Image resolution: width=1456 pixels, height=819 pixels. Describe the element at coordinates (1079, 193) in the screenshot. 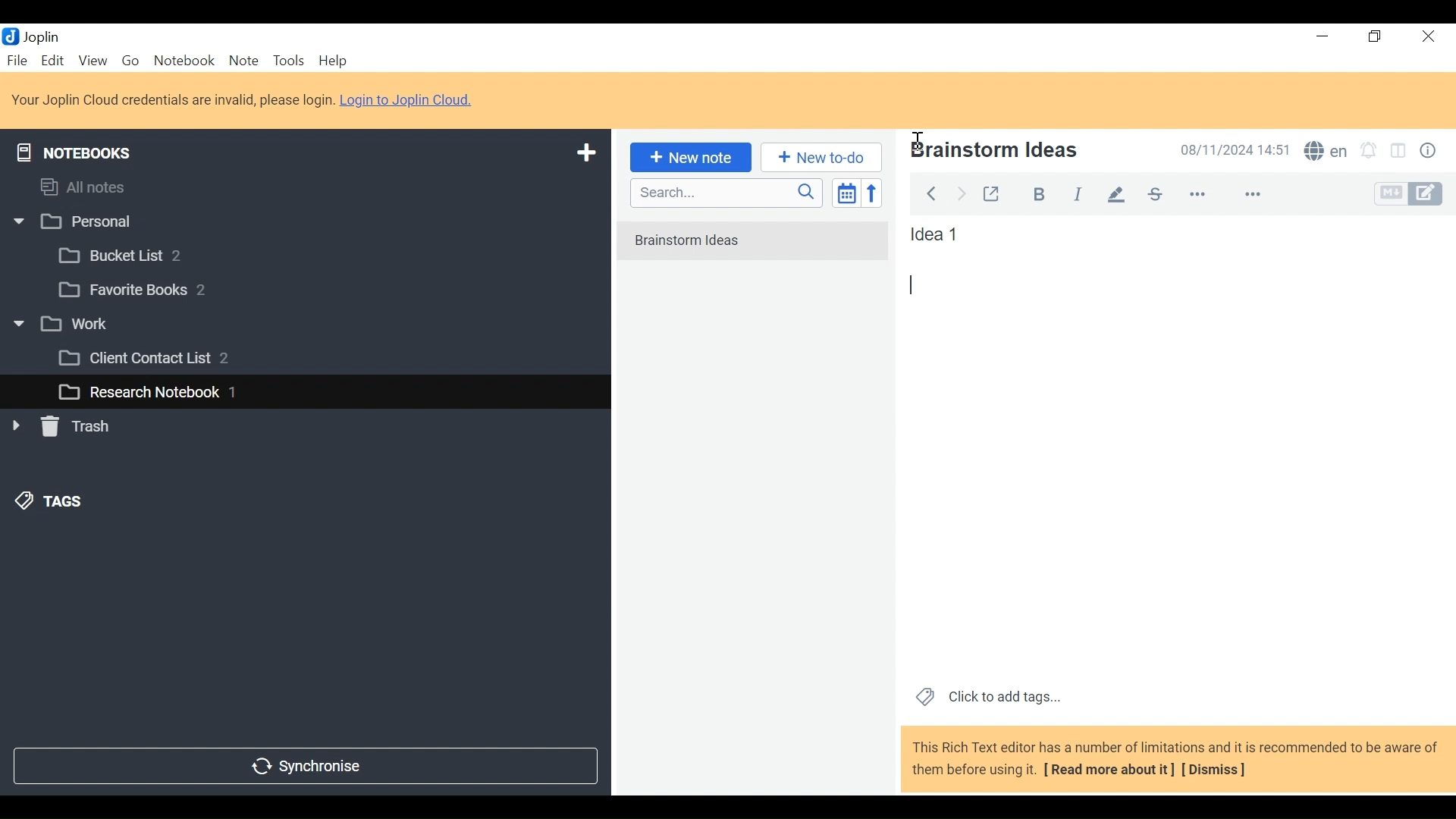

I see `italiac` at that location.